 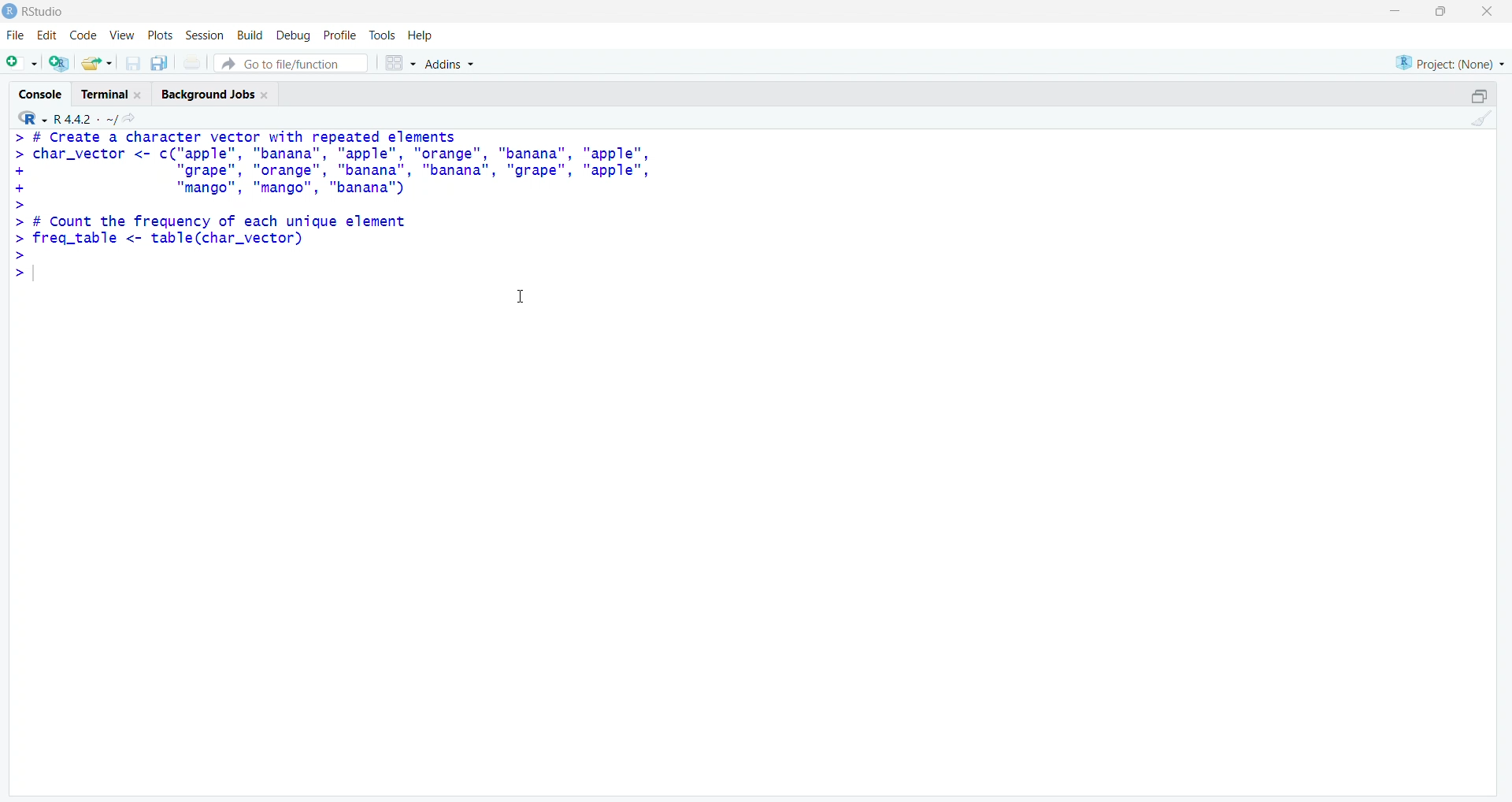 What do you see at coordinates (215, 93) in the screenshot?
I see `Background Jobs` at bounding box center [215, 93].